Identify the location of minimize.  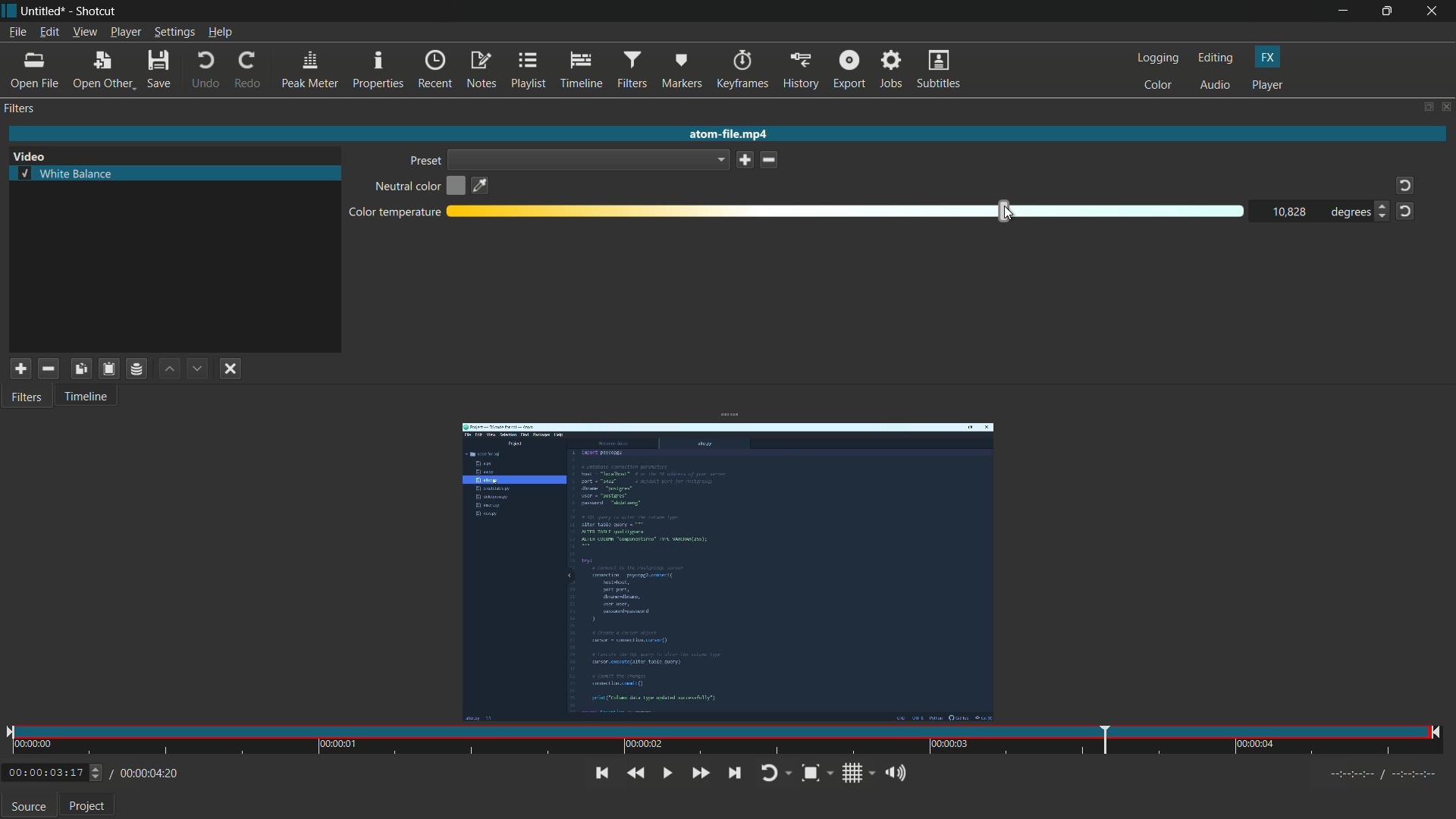
(1343, 11).